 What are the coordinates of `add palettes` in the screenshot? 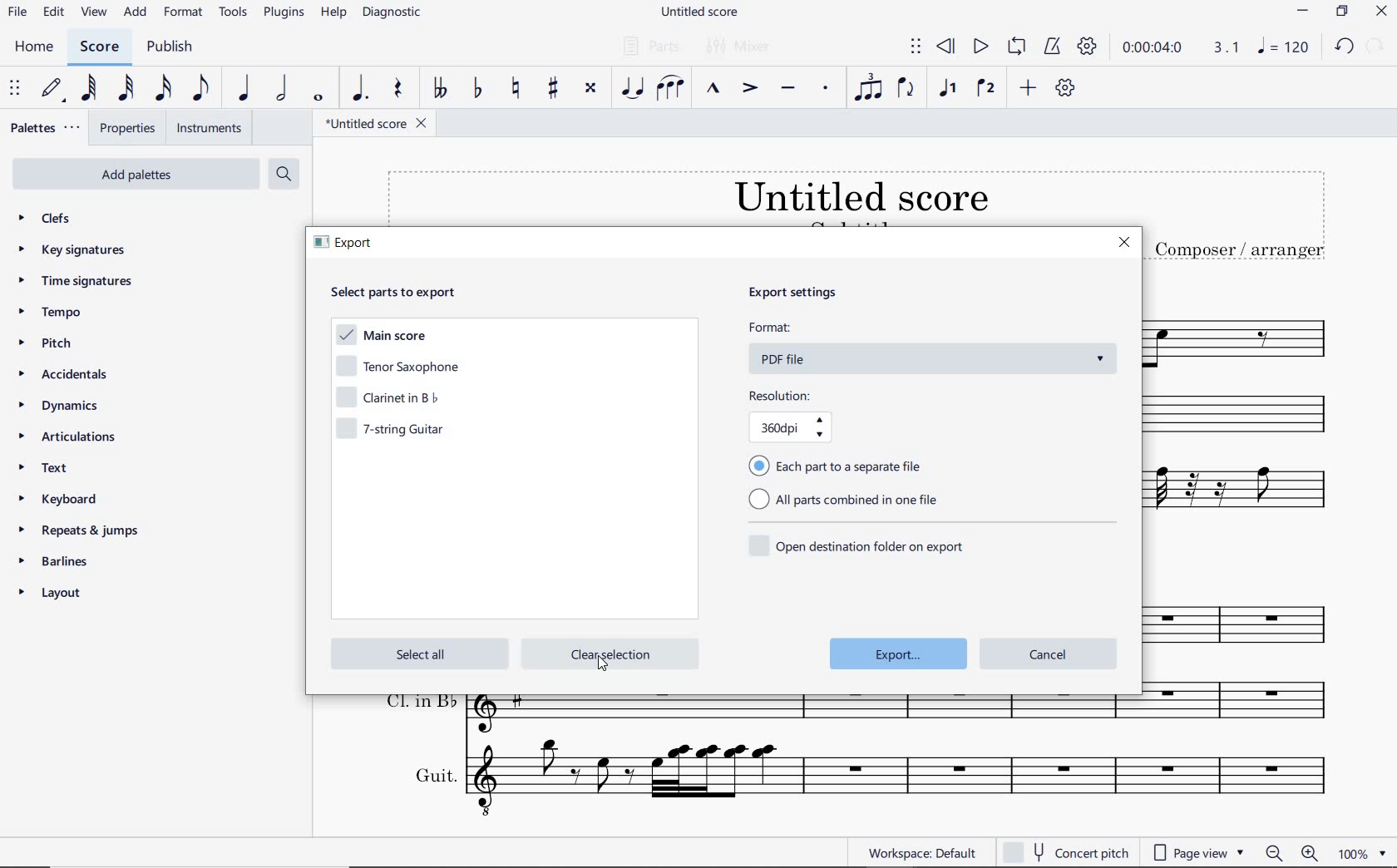 It's located at (133, 174).